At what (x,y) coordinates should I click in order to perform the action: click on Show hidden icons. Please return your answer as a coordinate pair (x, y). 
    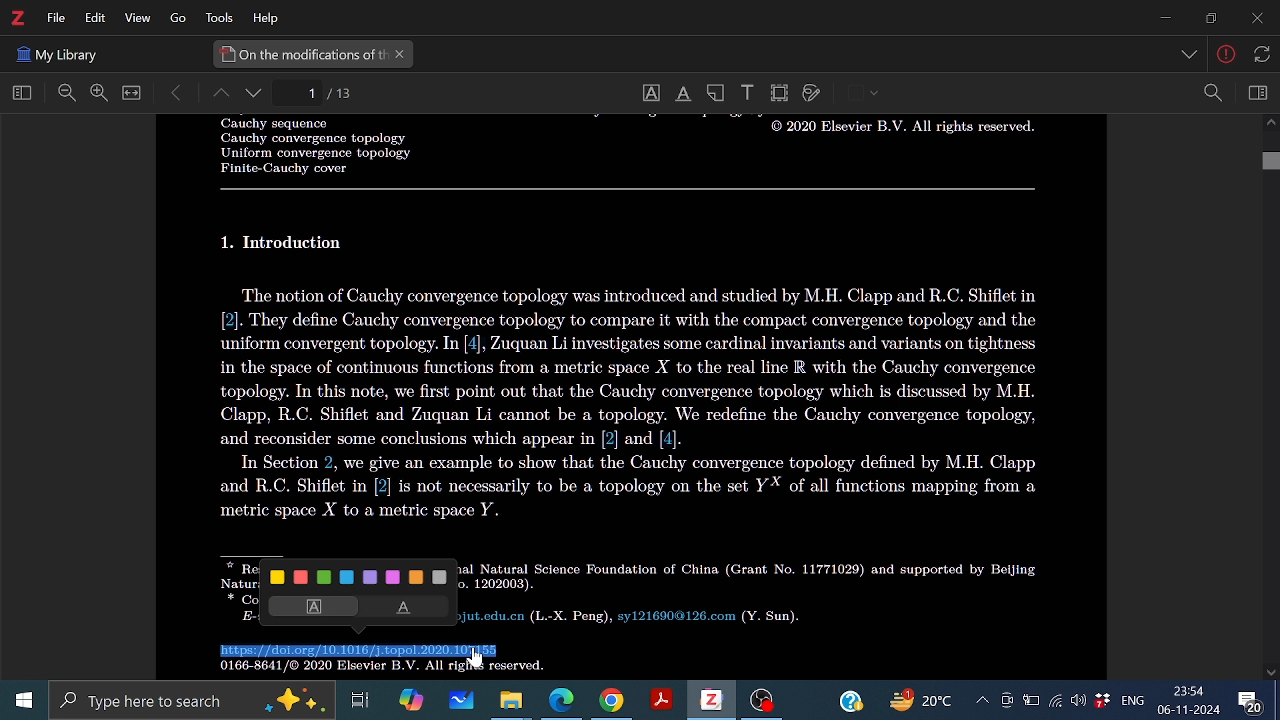
    Looking at the image, I should click on (981, 700).